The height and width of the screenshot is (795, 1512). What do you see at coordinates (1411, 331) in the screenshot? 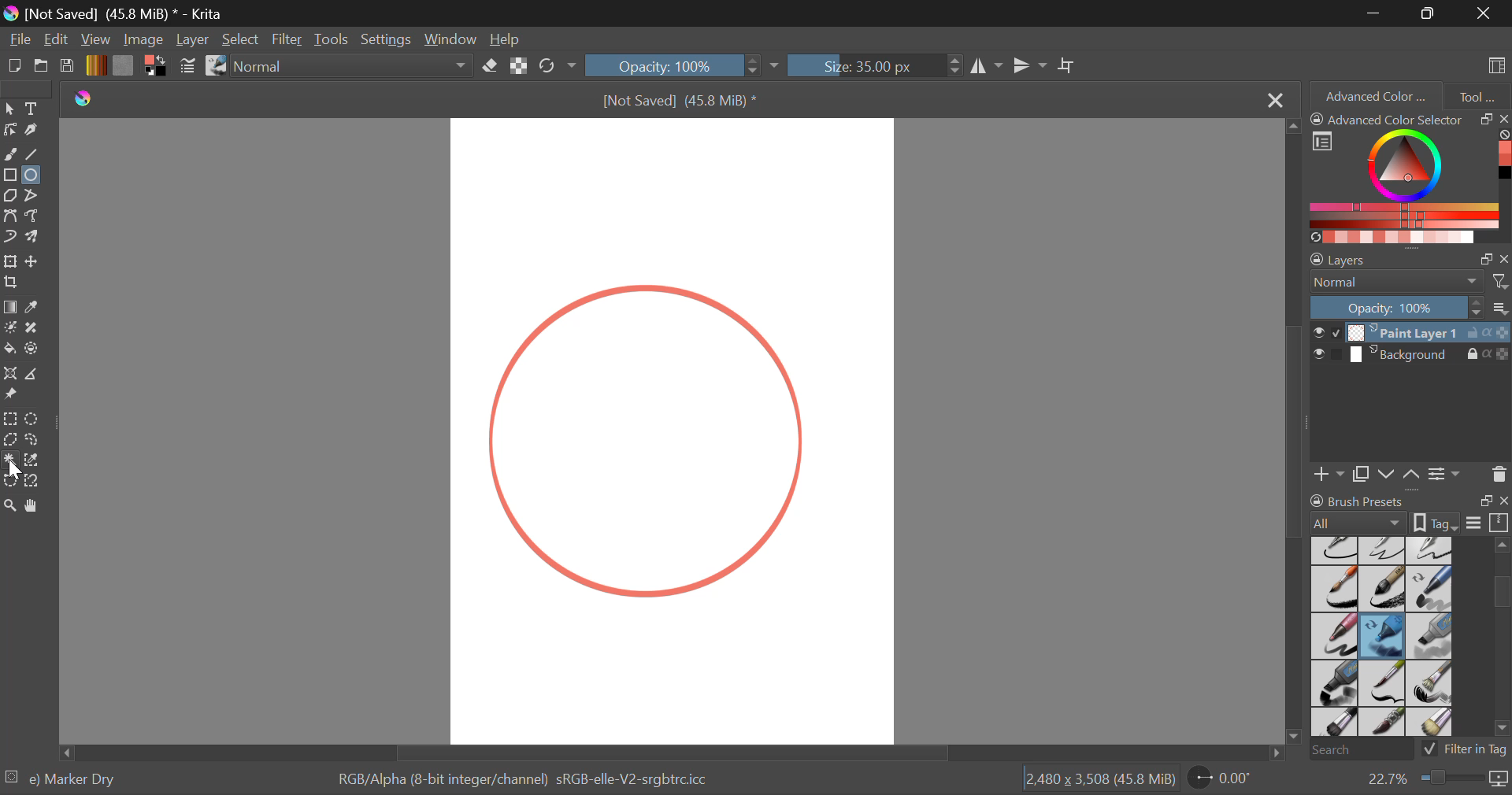
I see `Paint Layer 1` at bounding box center [1411, 331].